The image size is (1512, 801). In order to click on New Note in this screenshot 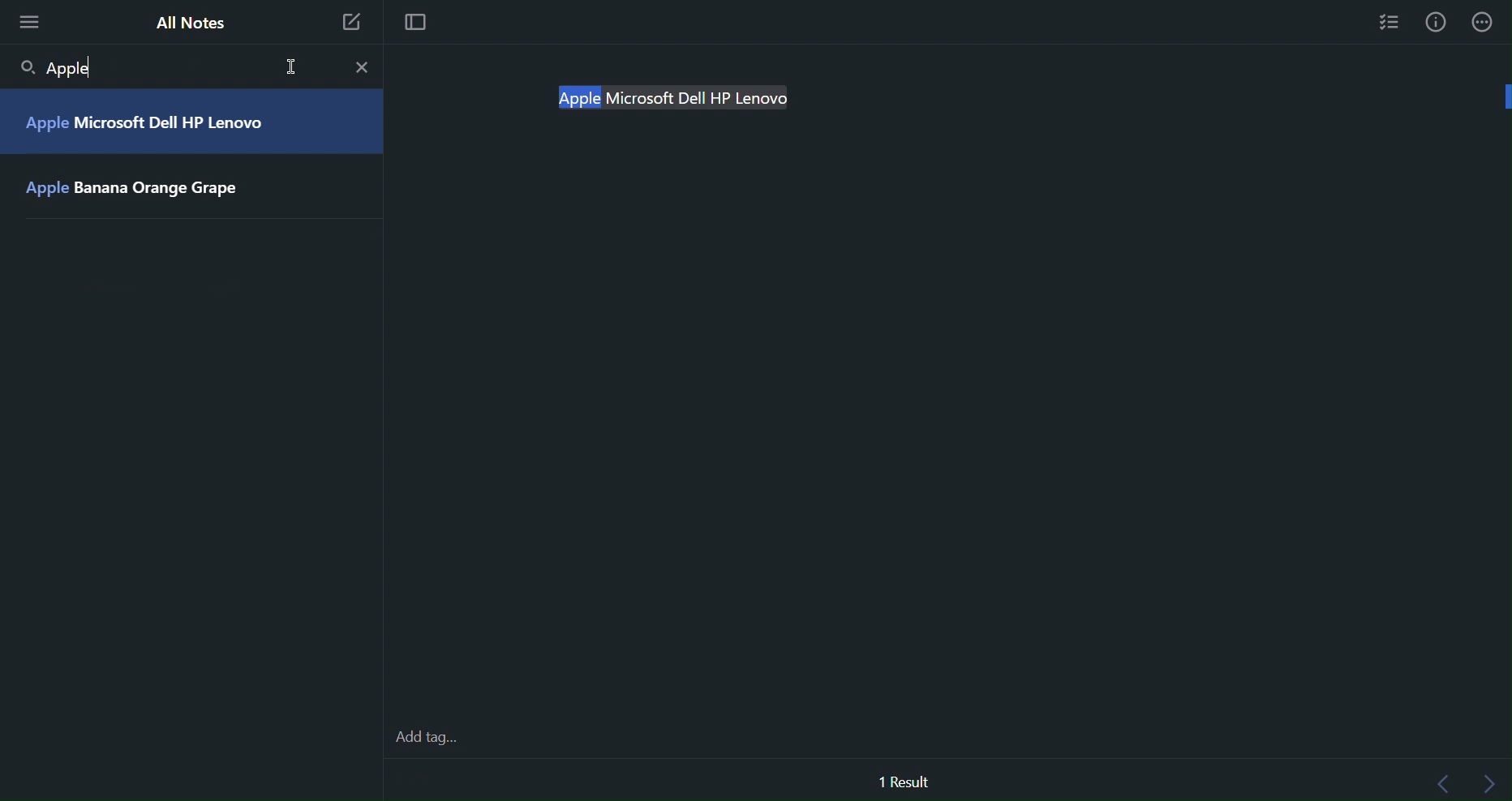, I will do `click(351, 23)`.